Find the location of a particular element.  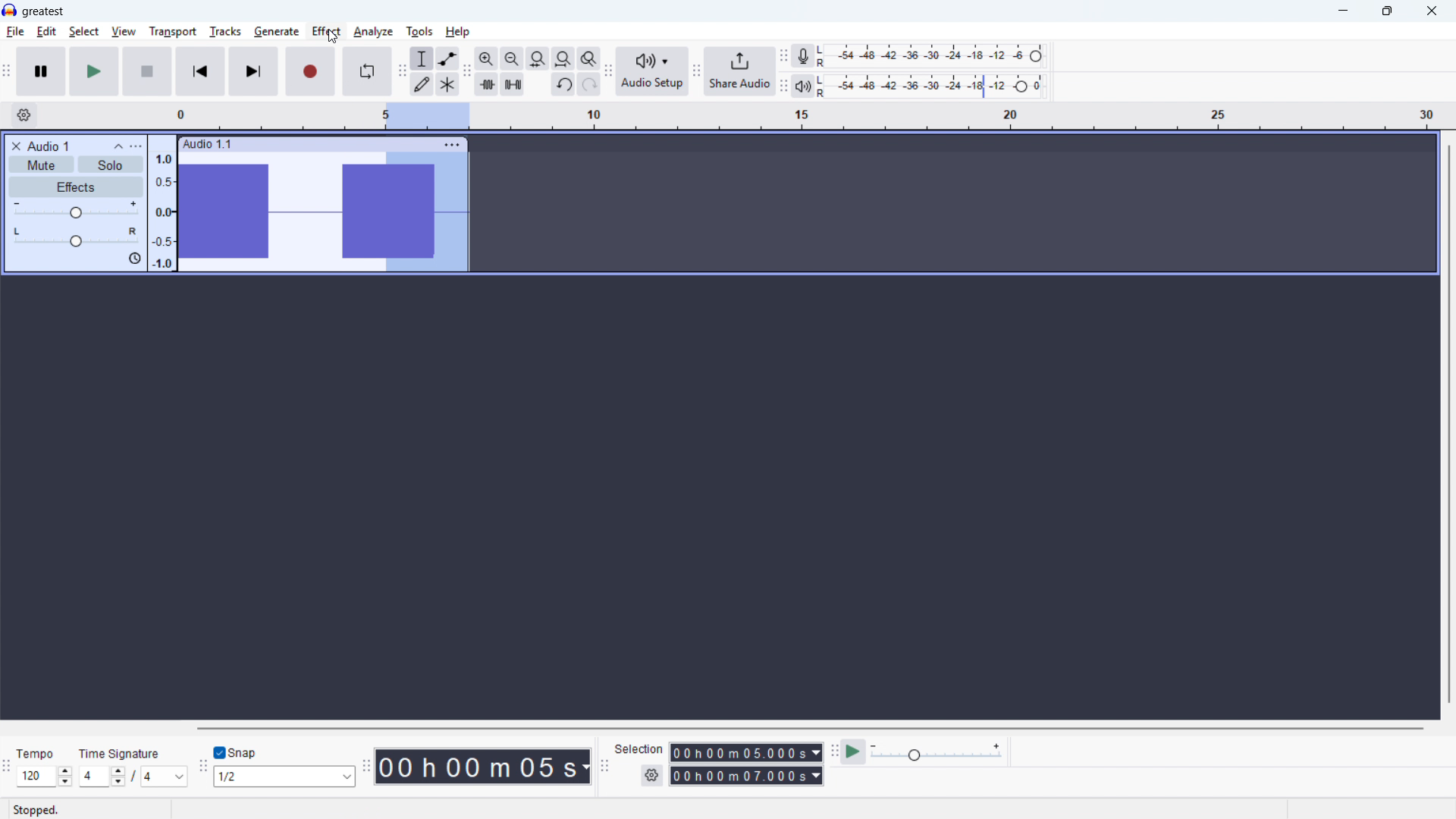

Greatest  is located at coordinates (42, 12).